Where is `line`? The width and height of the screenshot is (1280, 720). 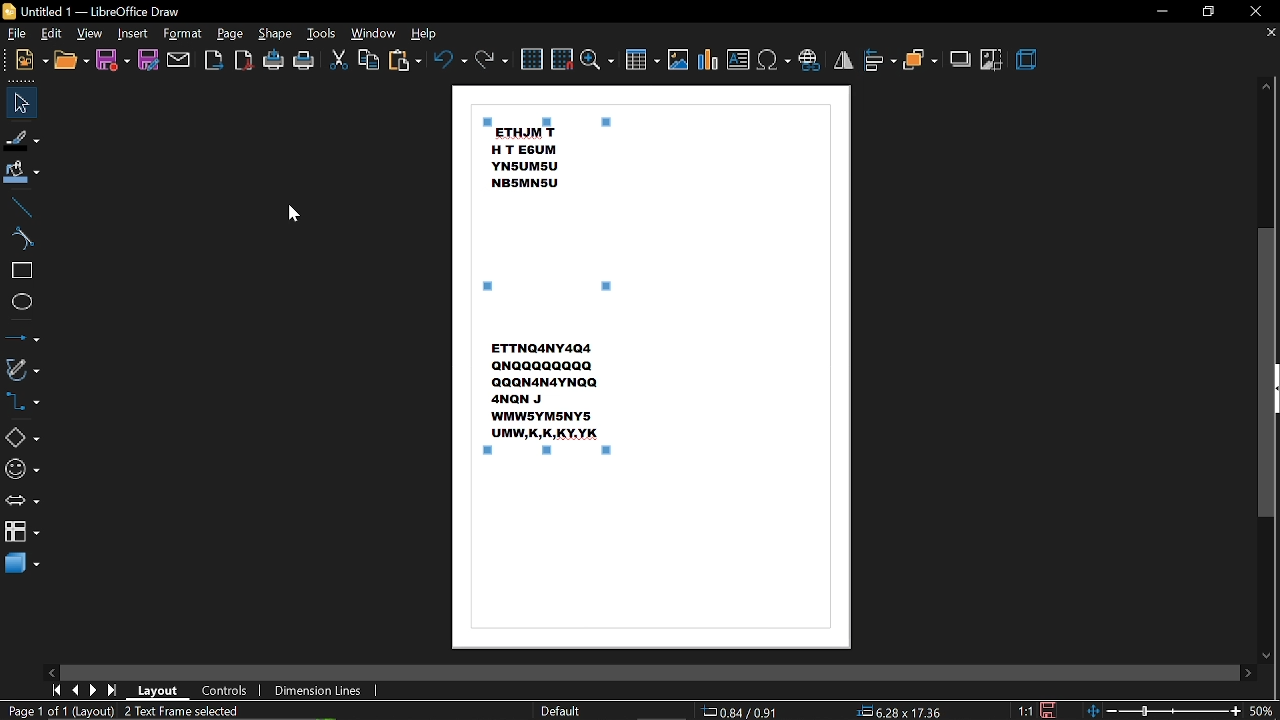
line is located at coordinates (21, 205).